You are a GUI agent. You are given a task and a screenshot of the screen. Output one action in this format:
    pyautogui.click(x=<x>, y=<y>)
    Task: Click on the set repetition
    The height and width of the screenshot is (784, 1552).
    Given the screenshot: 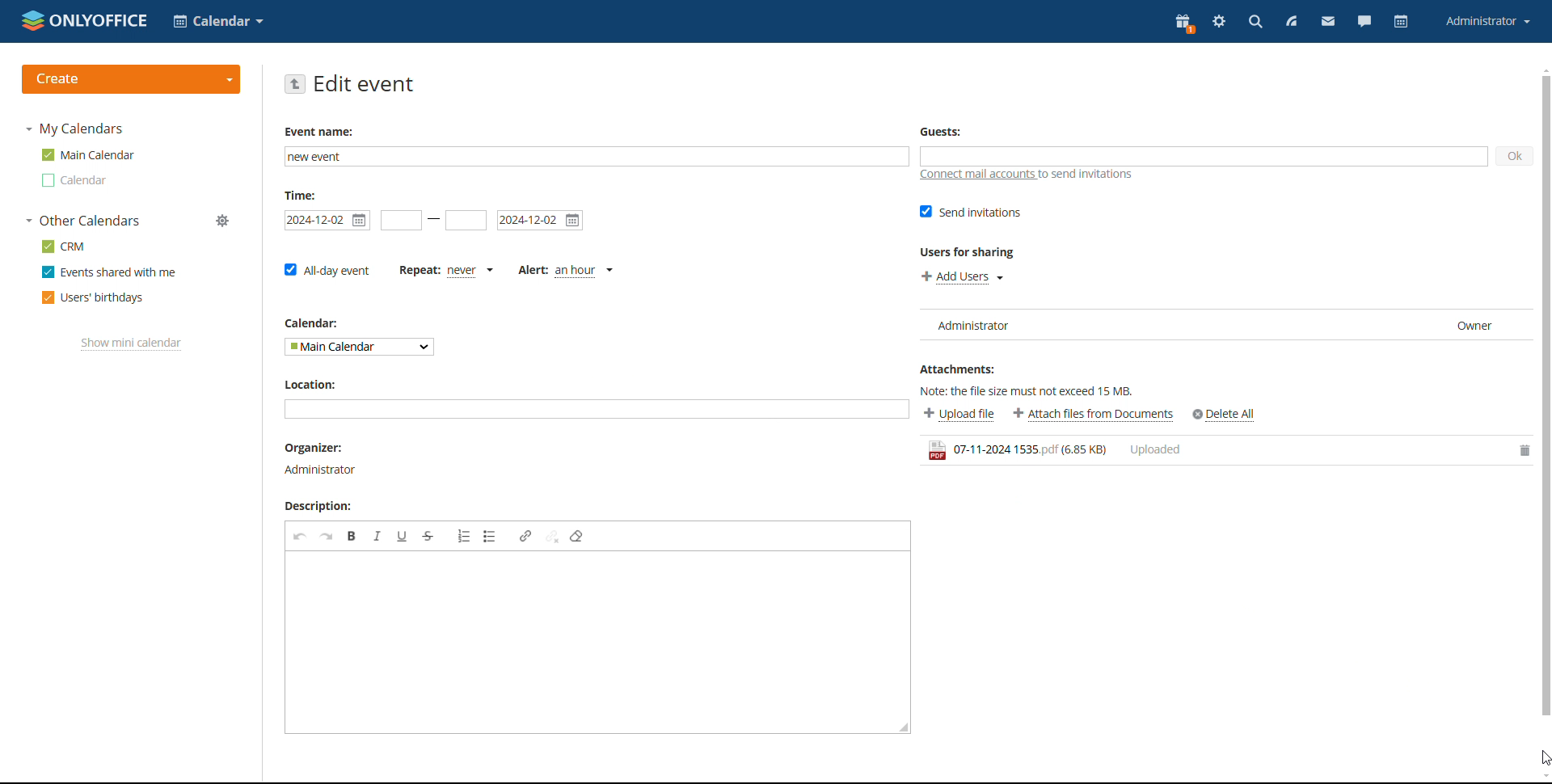 What is the action you would take?
    pyautogui.click(x=445, y=272)
    